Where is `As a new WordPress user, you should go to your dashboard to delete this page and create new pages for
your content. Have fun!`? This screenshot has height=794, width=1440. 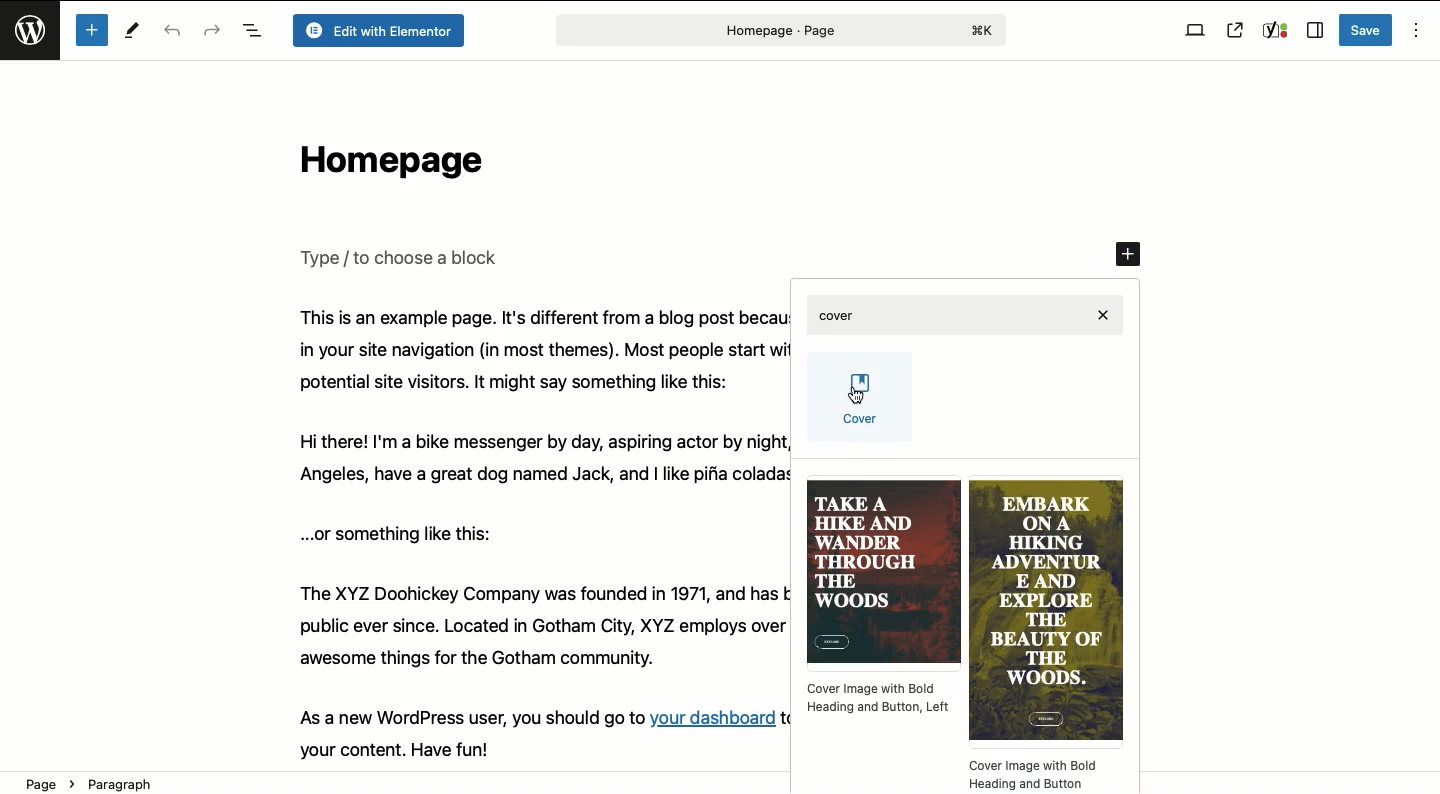
As a new WordPress user, you should go to your dashboard to delete this page and create new pages for
your content. Have fun! is located at coordinates (531, 732).